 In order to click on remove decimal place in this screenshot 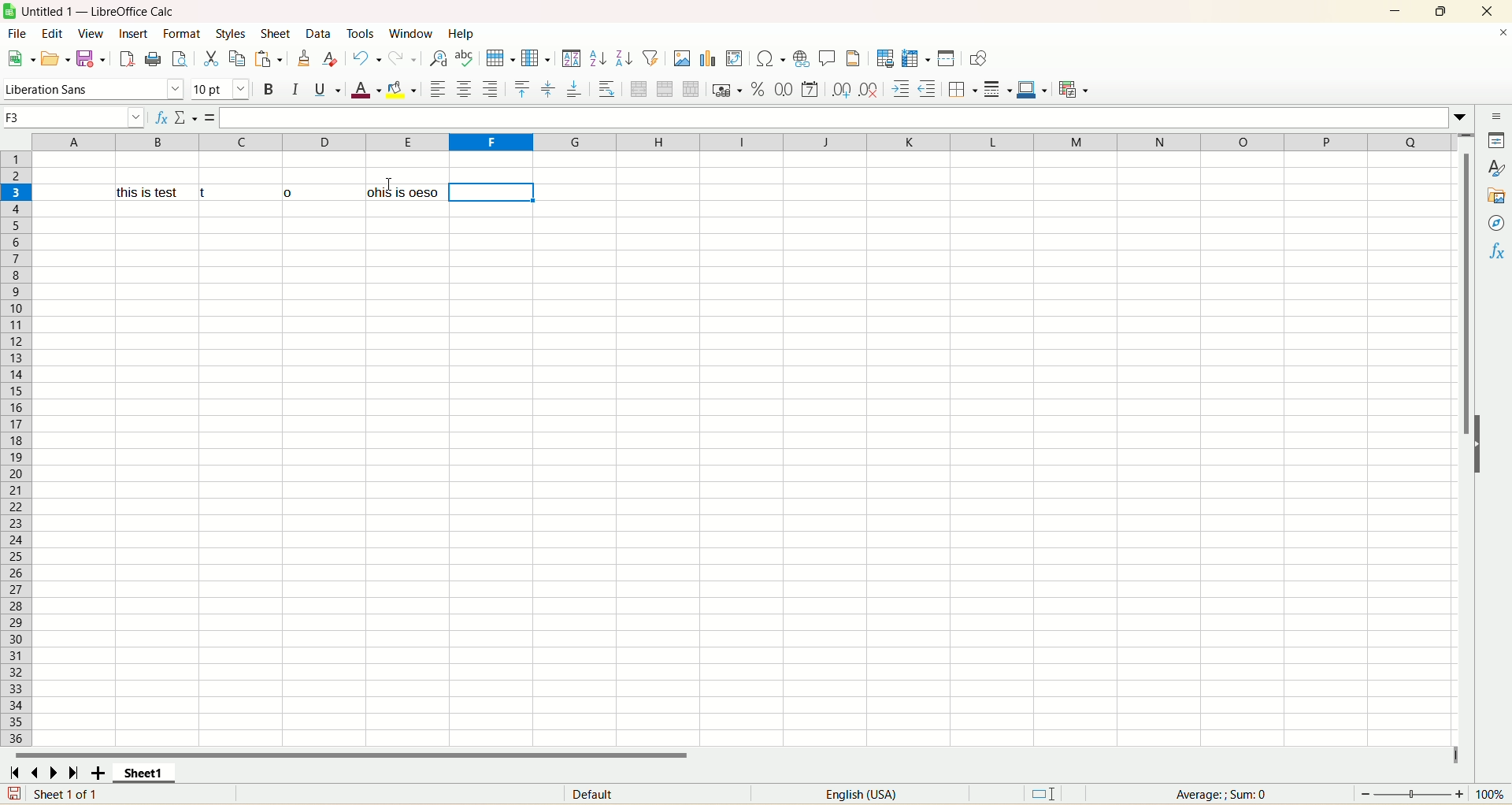, I will do `click(872, 90)`.